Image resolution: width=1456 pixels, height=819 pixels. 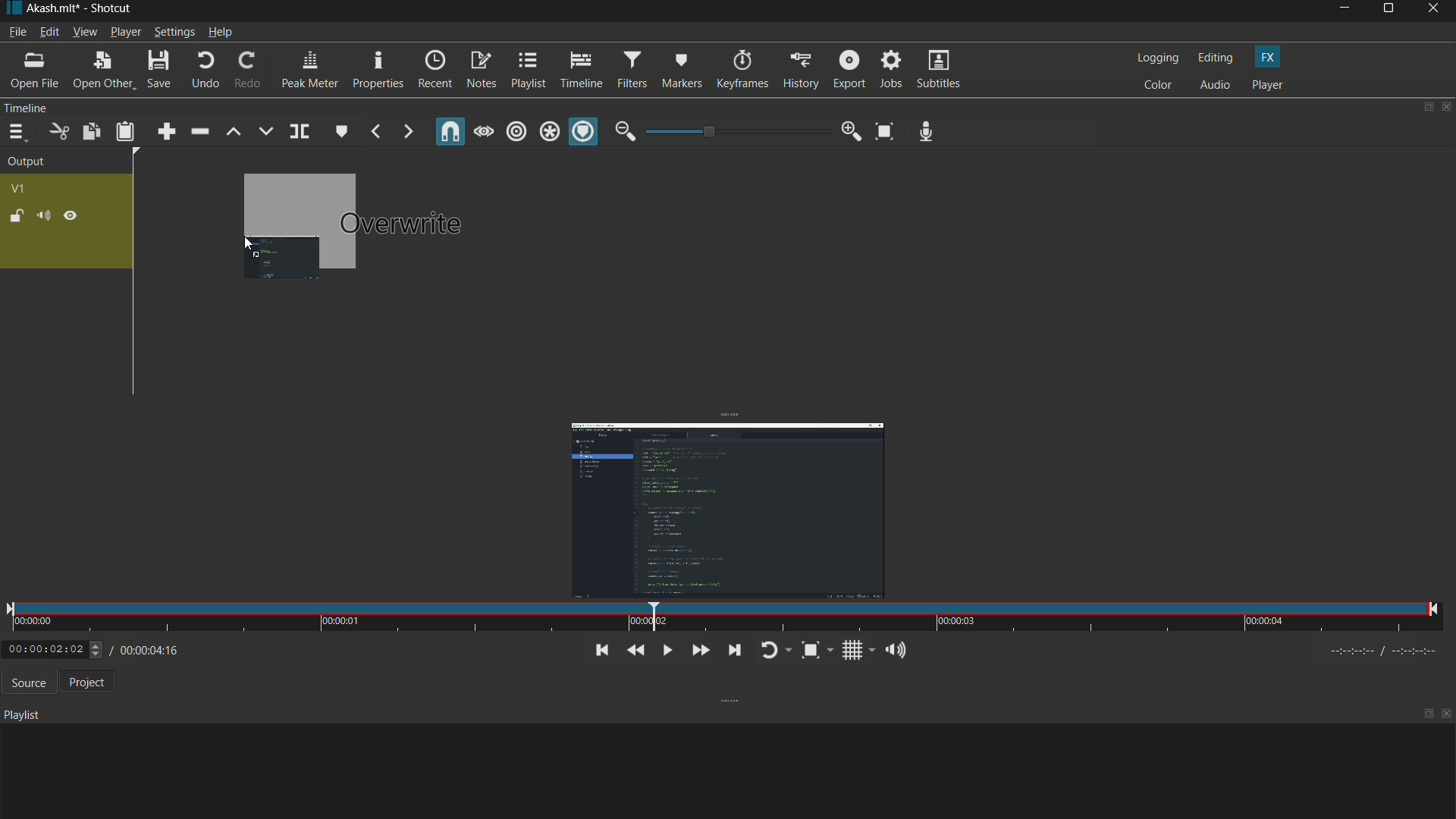 I want to click on markers, so click(x=681, y=71).